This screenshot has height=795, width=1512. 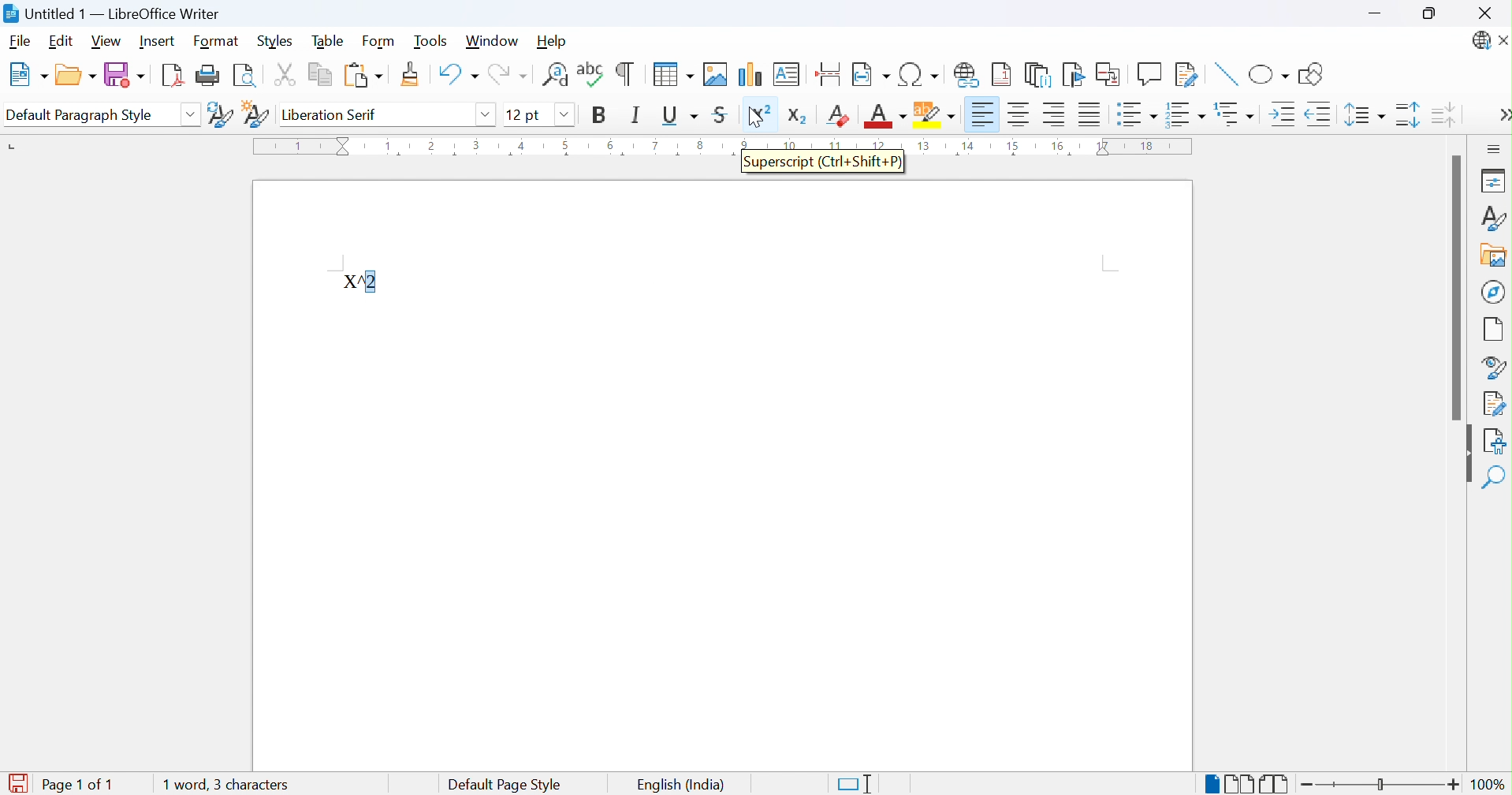 I want to click on English (India), so click(x=683, y=784).